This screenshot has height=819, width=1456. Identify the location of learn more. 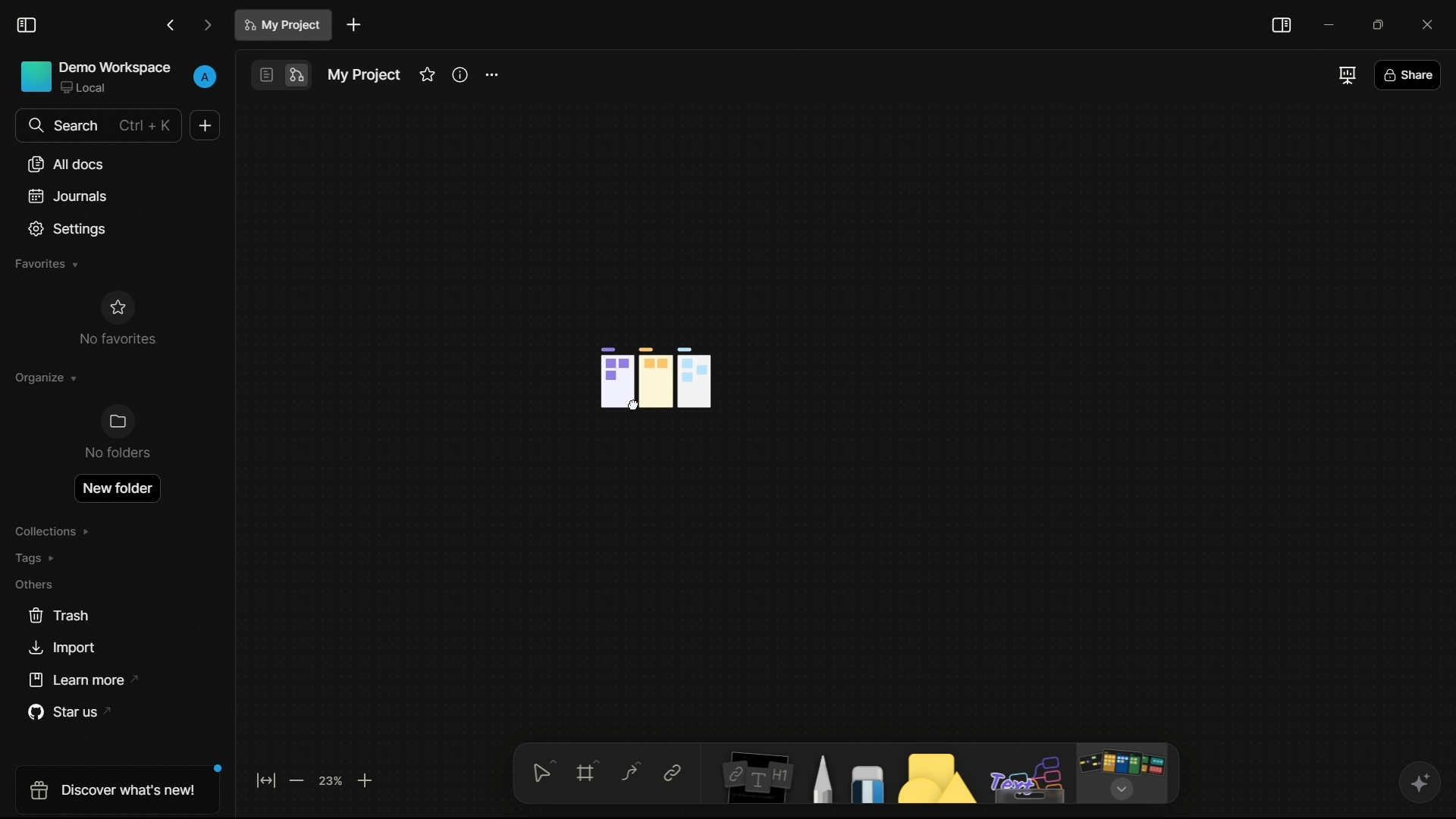
(86, 680).